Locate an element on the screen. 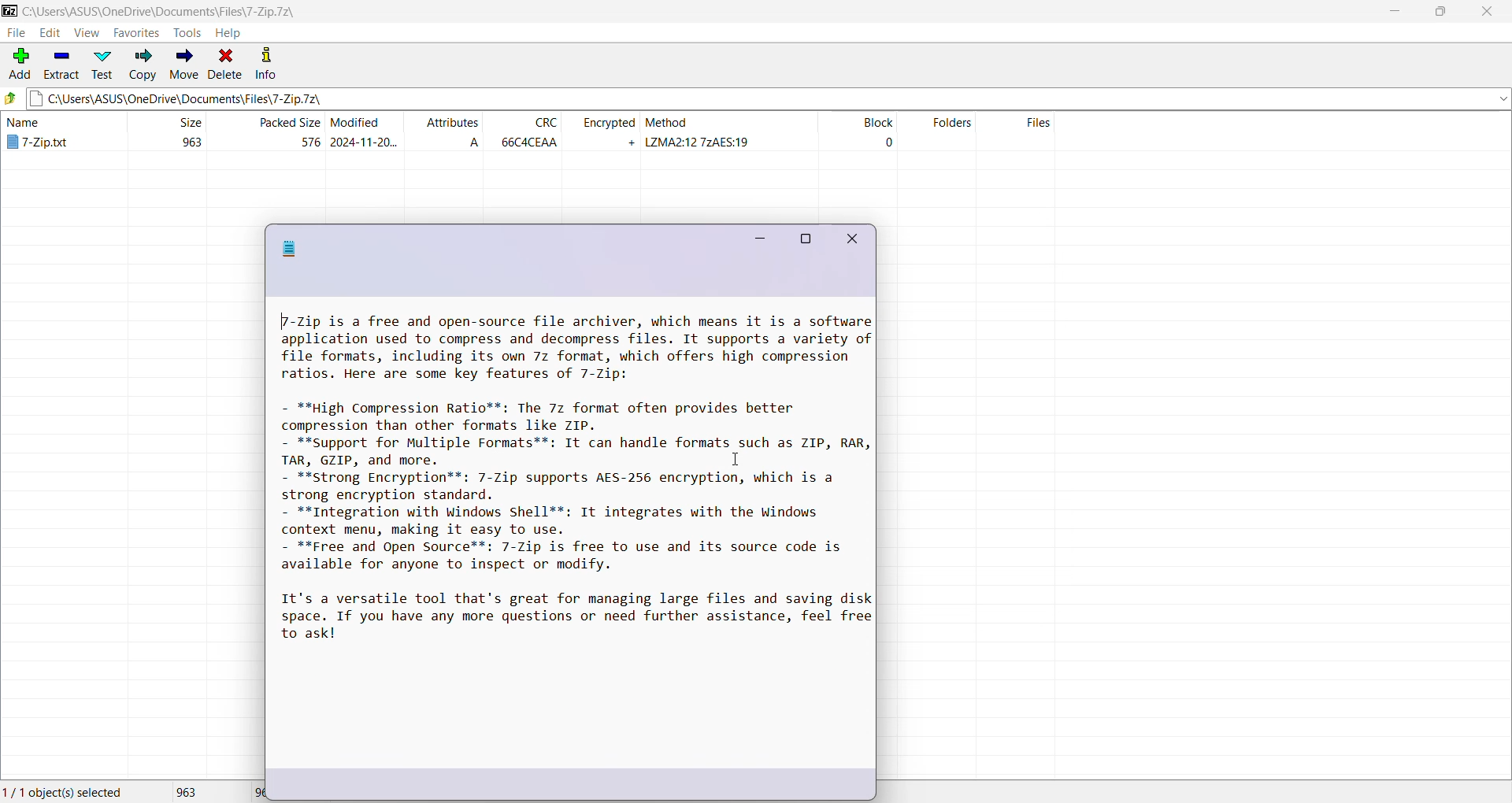 The image size is (1512, 803). Tools is located at coordinates (189, 31).